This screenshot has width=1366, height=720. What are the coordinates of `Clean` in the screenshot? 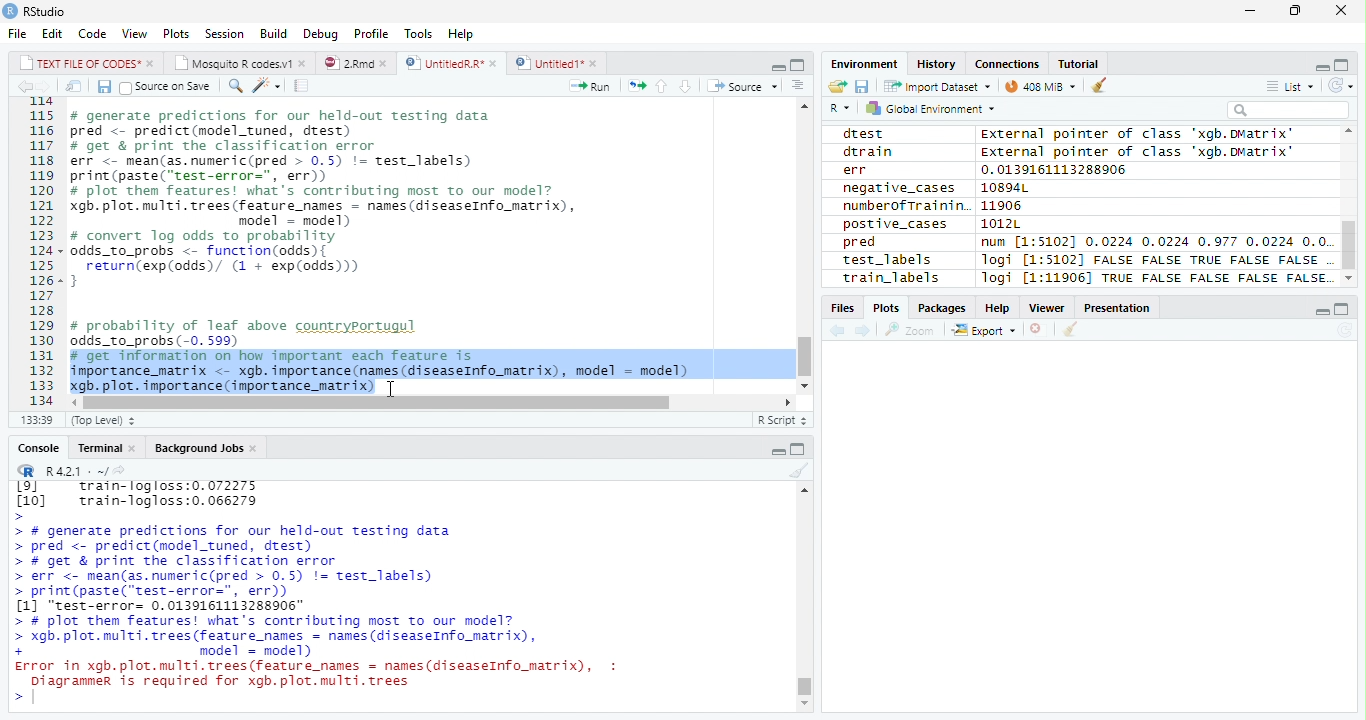 It's located at (1092, 86).